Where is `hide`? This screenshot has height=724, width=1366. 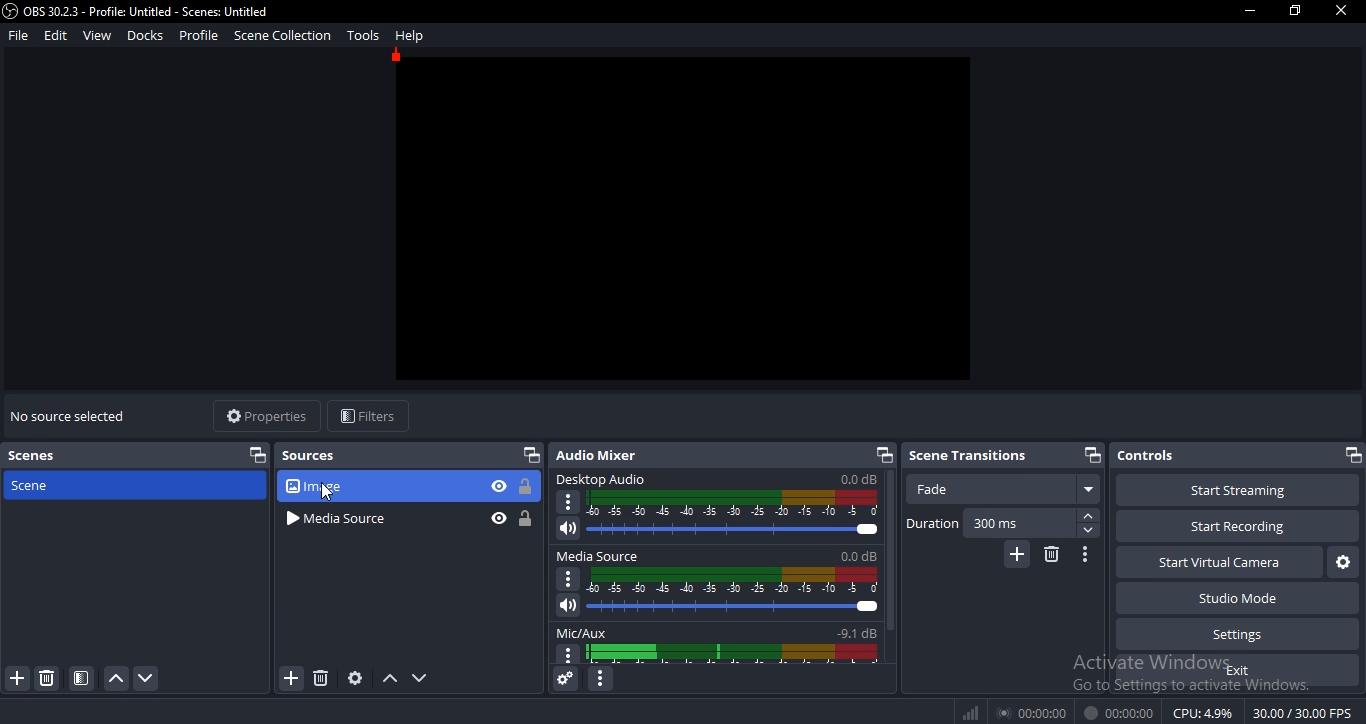
hide is located at coordinates (497, 487).